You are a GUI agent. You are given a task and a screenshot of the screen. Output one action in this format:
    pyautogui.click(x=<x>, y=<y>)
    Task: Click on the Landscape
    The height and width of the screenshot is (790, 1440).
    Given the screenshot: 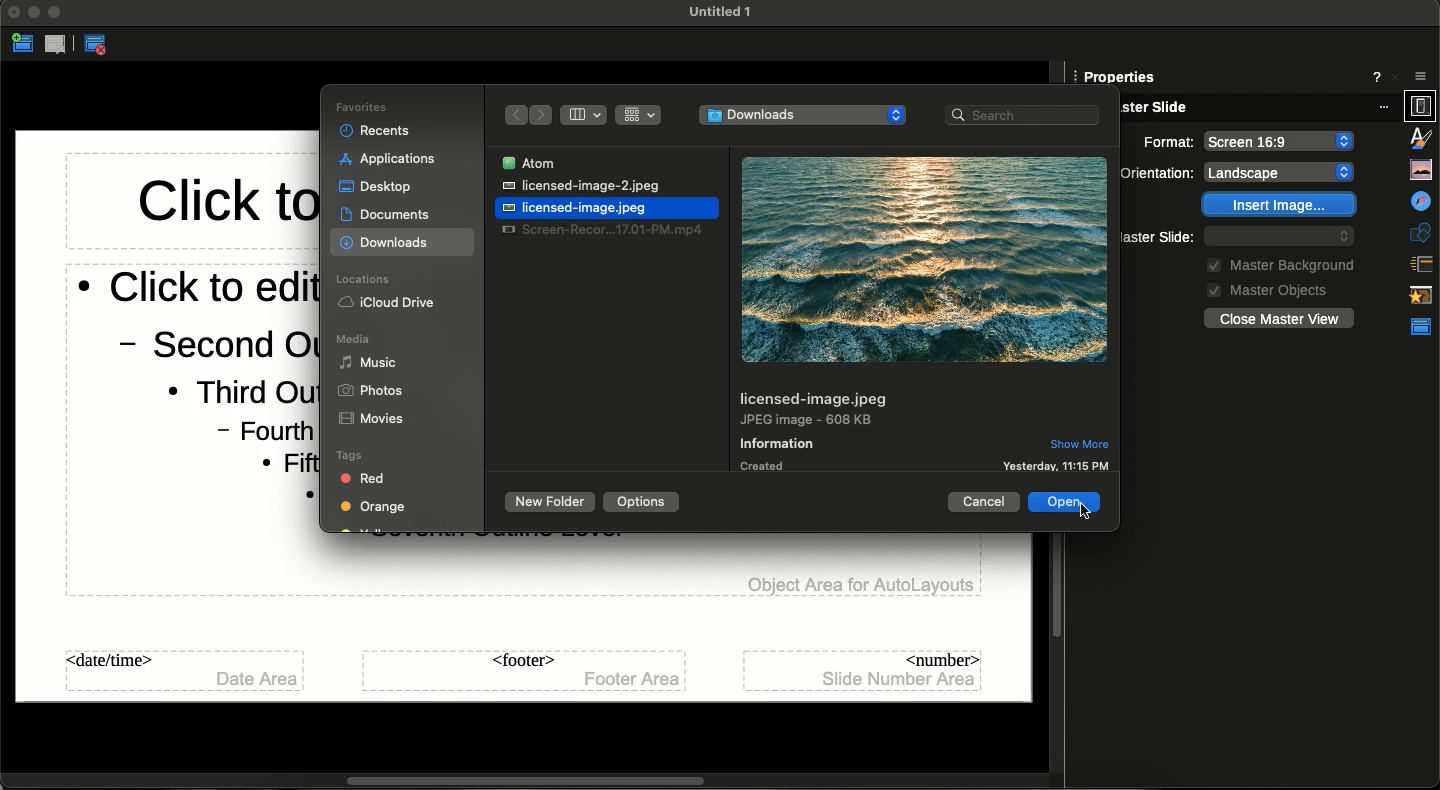 What is the action you would take?
    pyautogui.click(x=1282, y=137)
    